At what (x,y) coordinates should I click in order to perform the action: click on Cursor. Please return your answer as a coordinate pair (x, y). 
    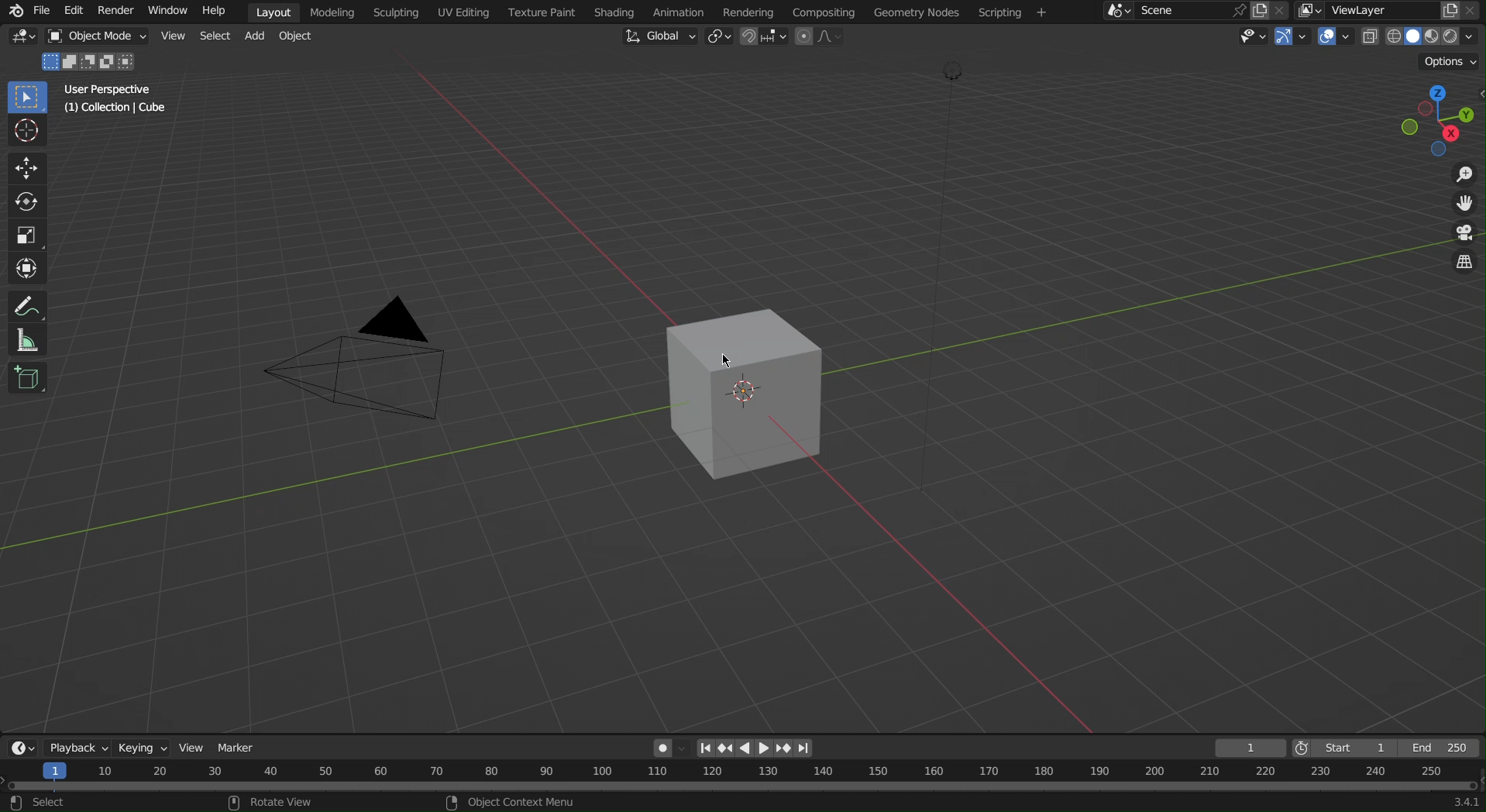
    Looking at the image, I should click on (25, 132).